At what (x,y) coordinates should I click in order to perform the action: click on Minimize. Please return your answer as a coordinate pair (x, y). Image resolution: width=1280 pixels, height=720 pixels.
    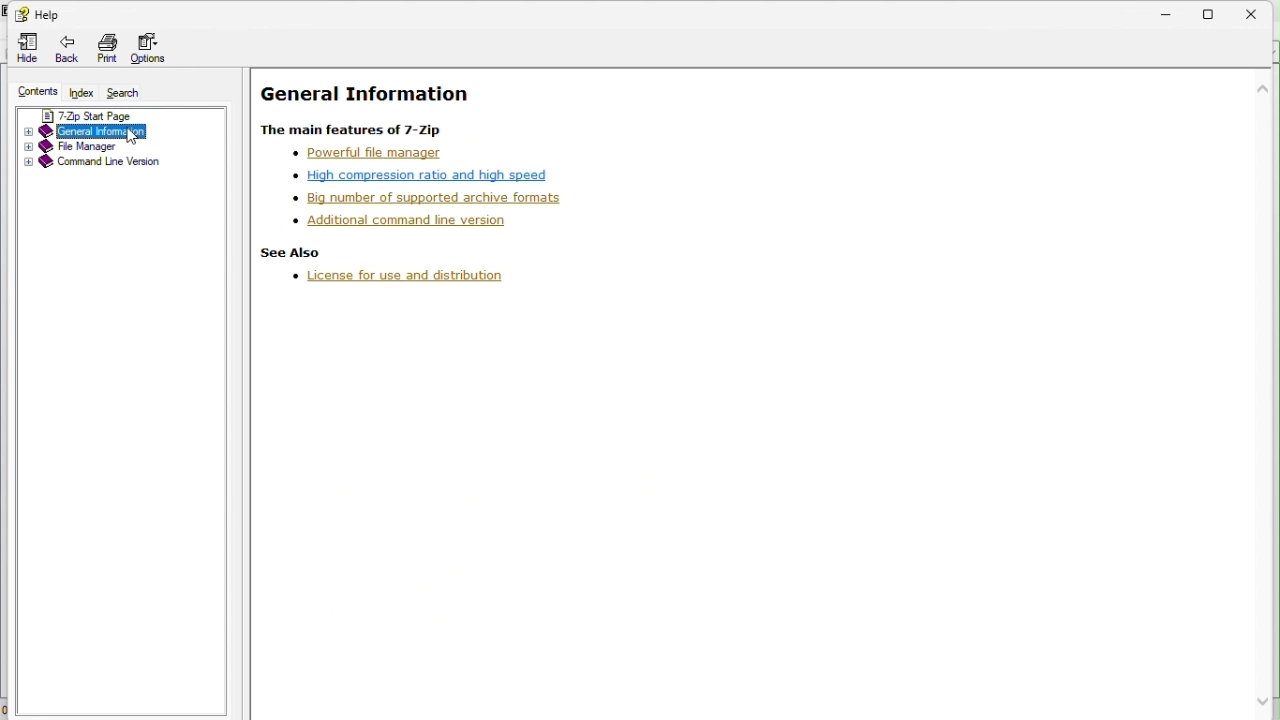
    Looking at the image, I should click on (1175, 16).